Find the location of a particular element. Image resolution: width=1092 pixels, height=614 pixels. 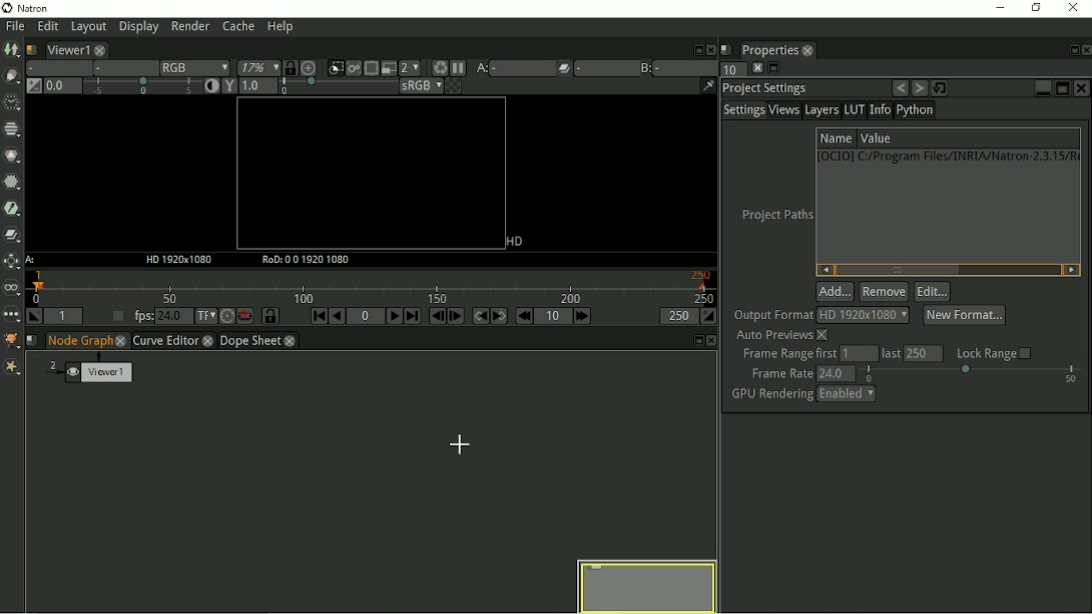

Switch between neutral 1.0 gain f stop and the previous setting is located at coordinates (32, 87).